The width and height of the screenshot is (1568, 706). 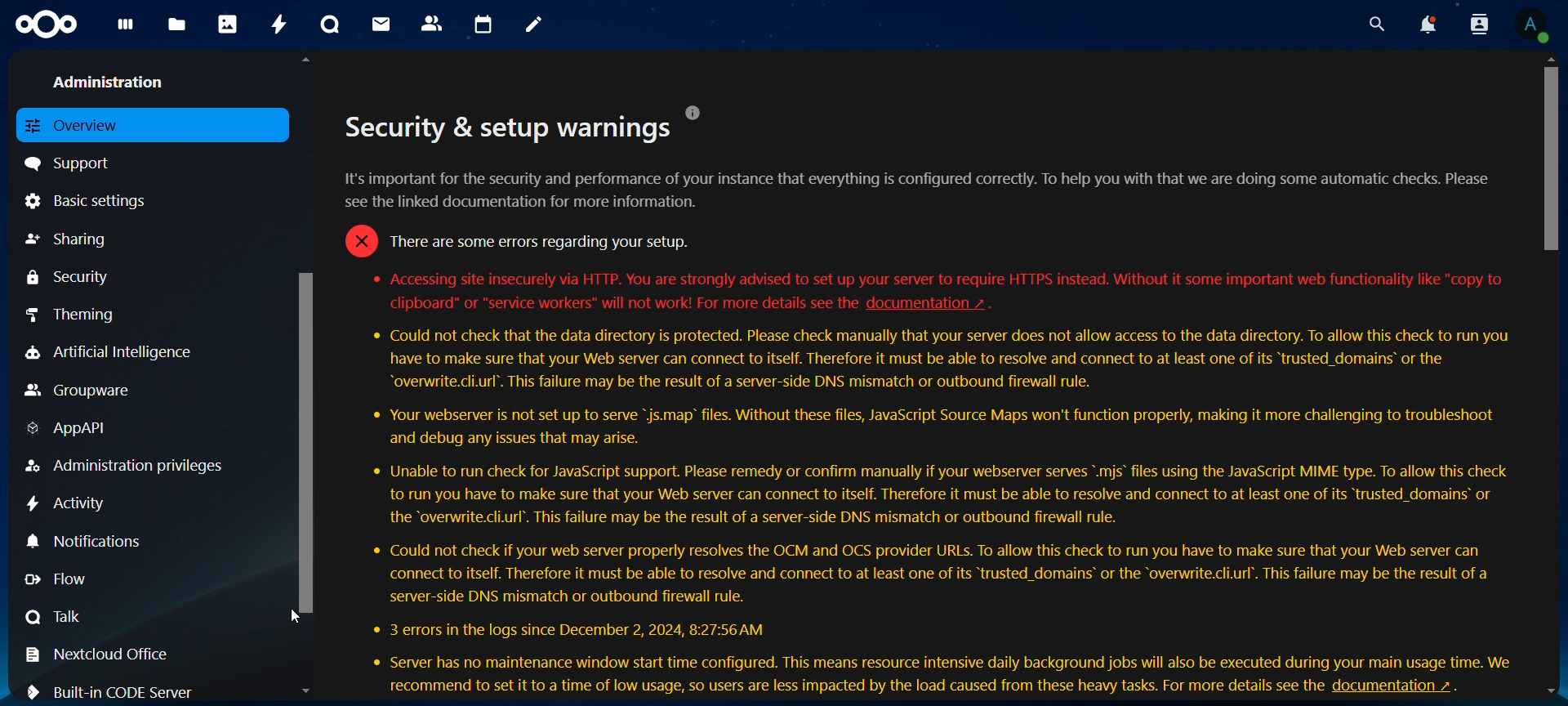 What do you see at coordinates (127, 466) in the screenshot?
I see `admnistration privileges` at bounding box center [127, 466].